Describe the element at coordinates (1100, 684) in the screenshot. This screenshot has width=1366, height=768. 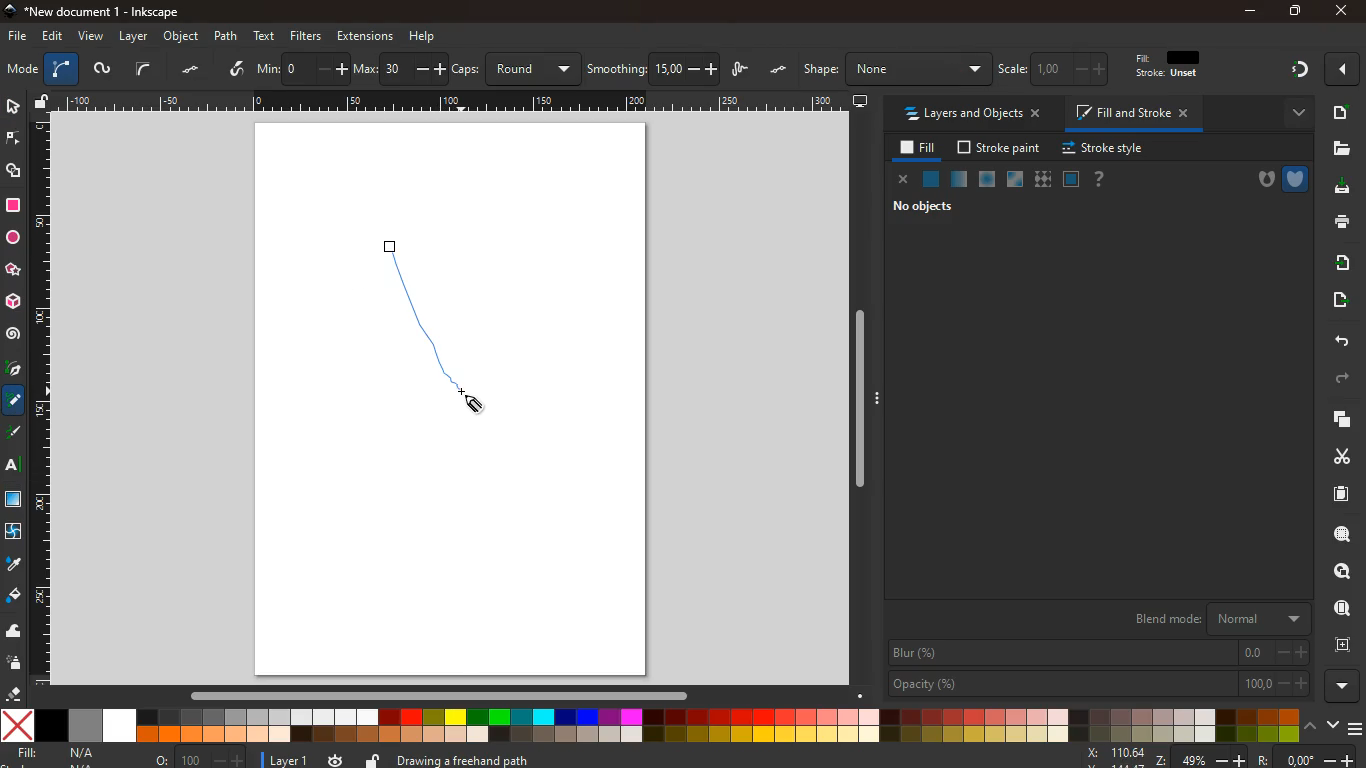
I see `opacity` at that location.